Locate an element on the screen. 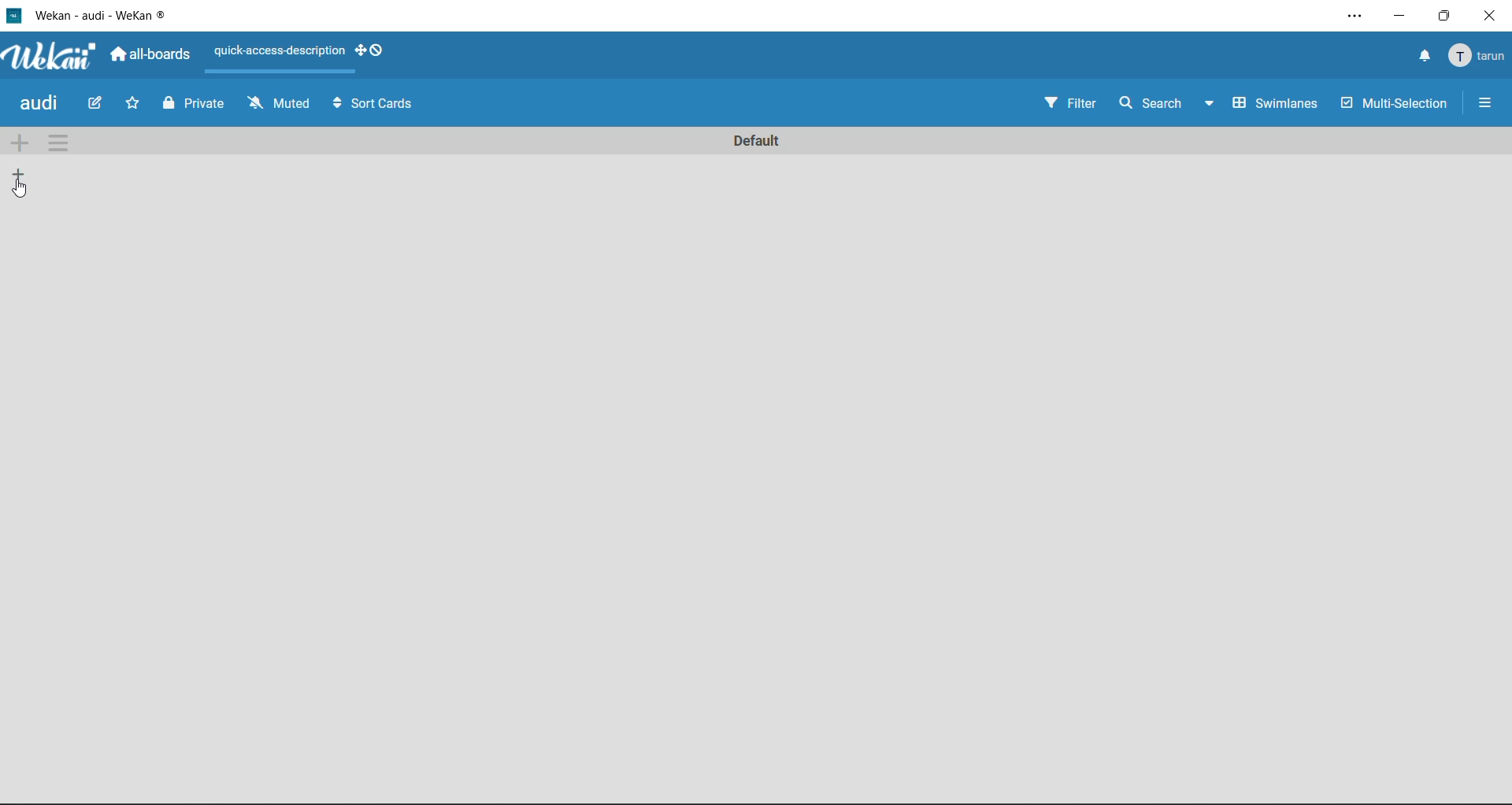 This screenshot has width=1512, height=805. Swimlanes is located at coordinates (1277, 103).